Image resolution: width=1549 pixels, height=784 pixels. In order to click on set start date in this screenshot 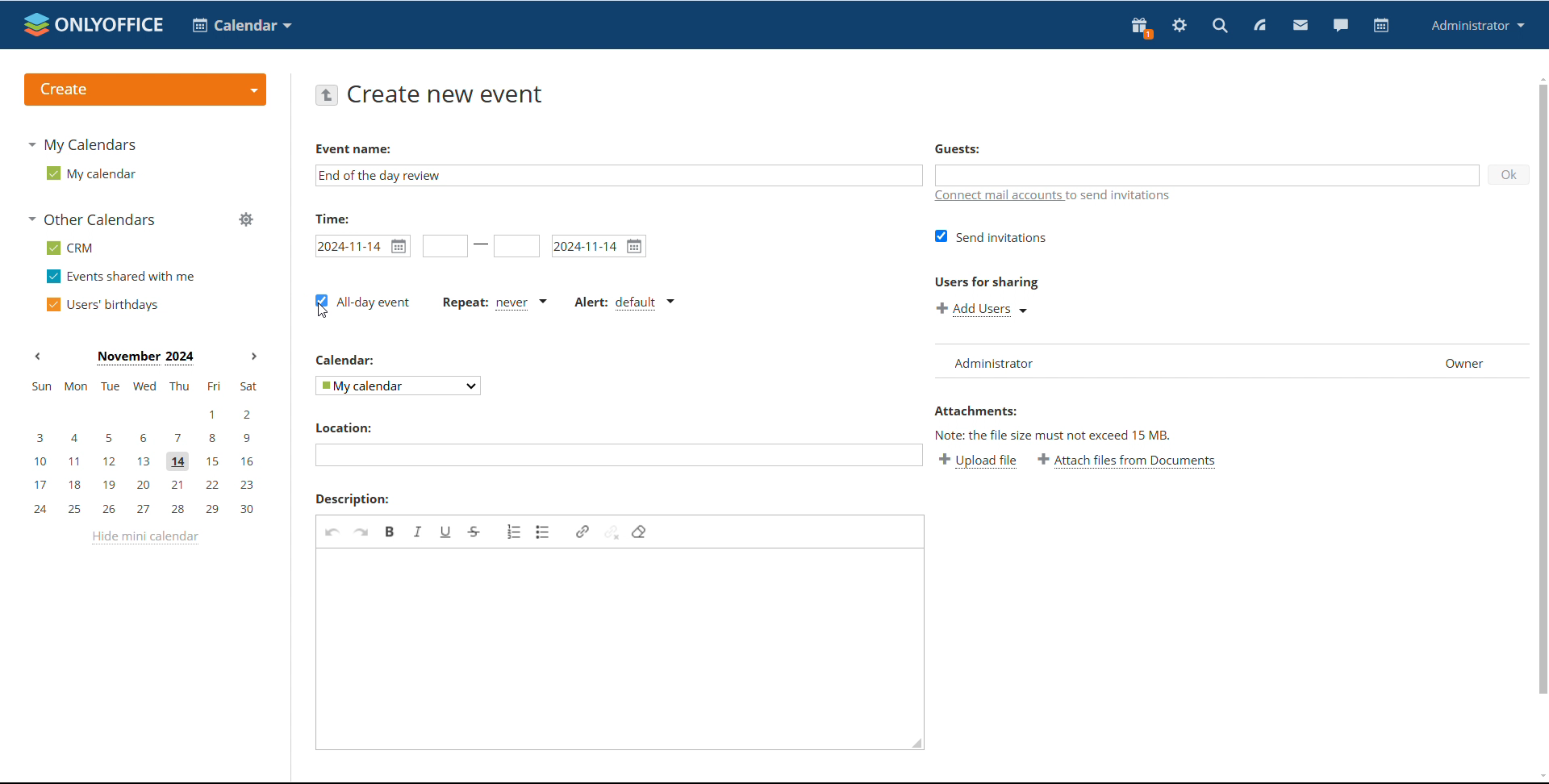, I will do `click(362, 246)`.